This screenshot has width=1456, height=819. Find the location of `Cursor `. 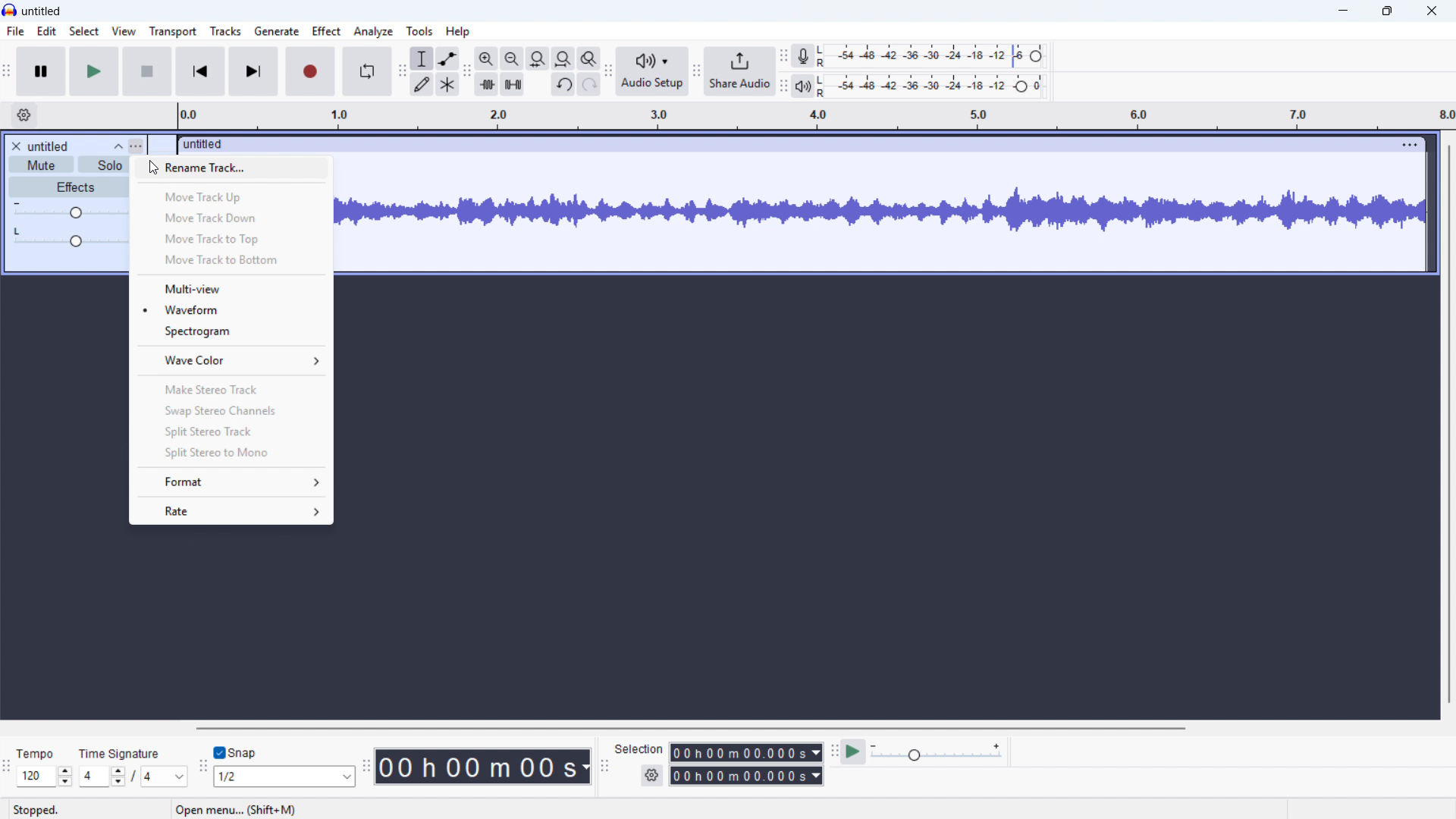

Cursor  is located at coordinates (156, 169).